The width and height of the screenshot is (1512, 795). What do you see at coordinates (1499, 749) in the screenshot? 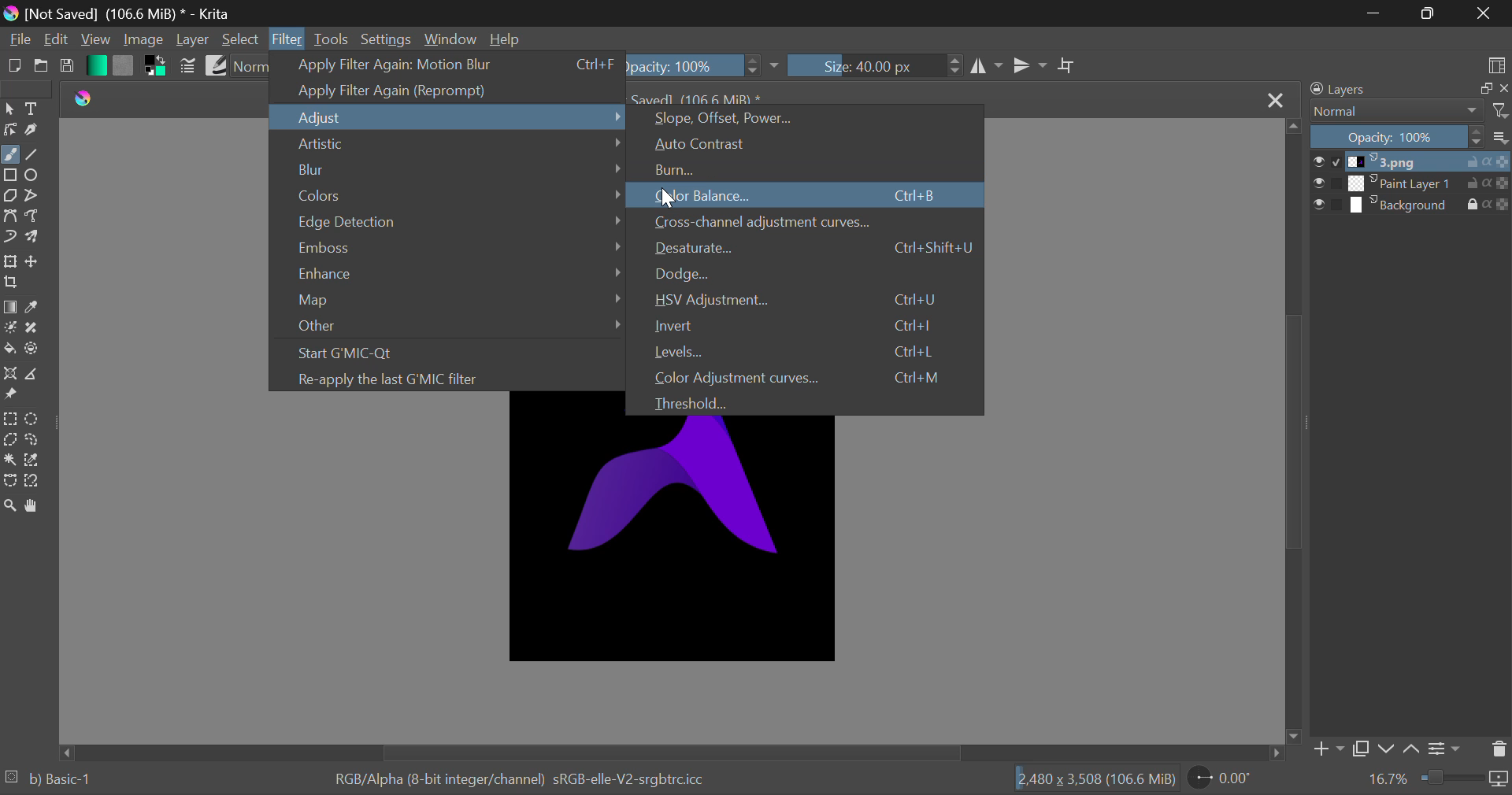
I see `Delete Layer` at bounding box center [1499, 749].